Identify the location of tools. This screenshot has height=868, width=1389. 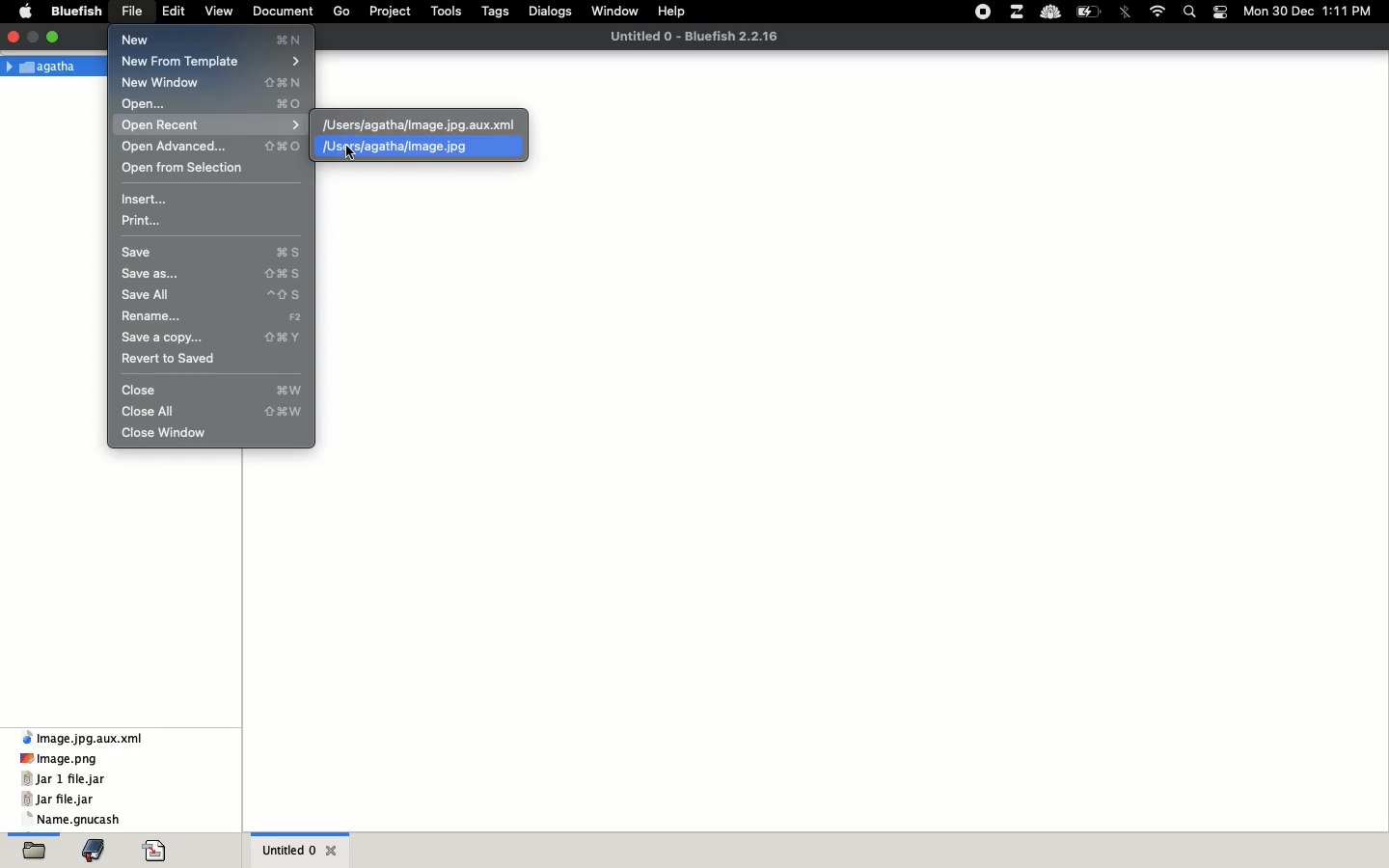
(446, 12).